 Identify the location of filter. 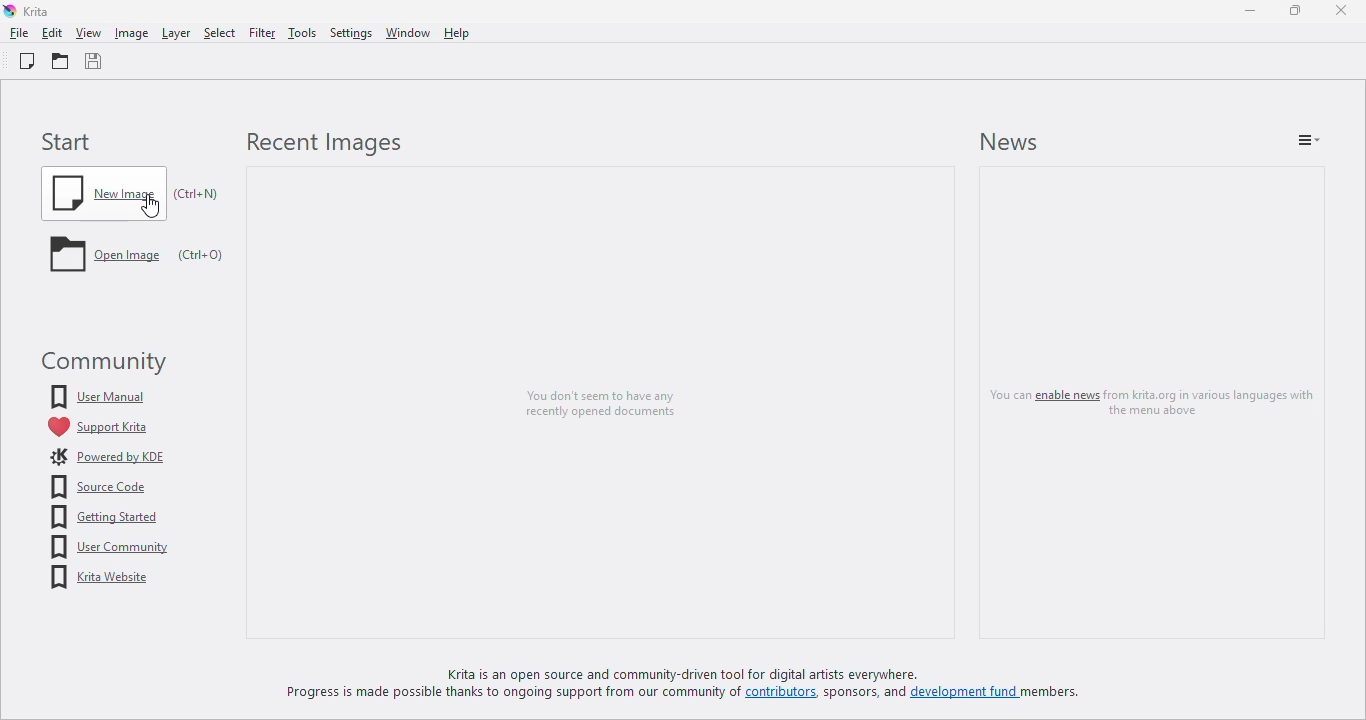
(261, 33).